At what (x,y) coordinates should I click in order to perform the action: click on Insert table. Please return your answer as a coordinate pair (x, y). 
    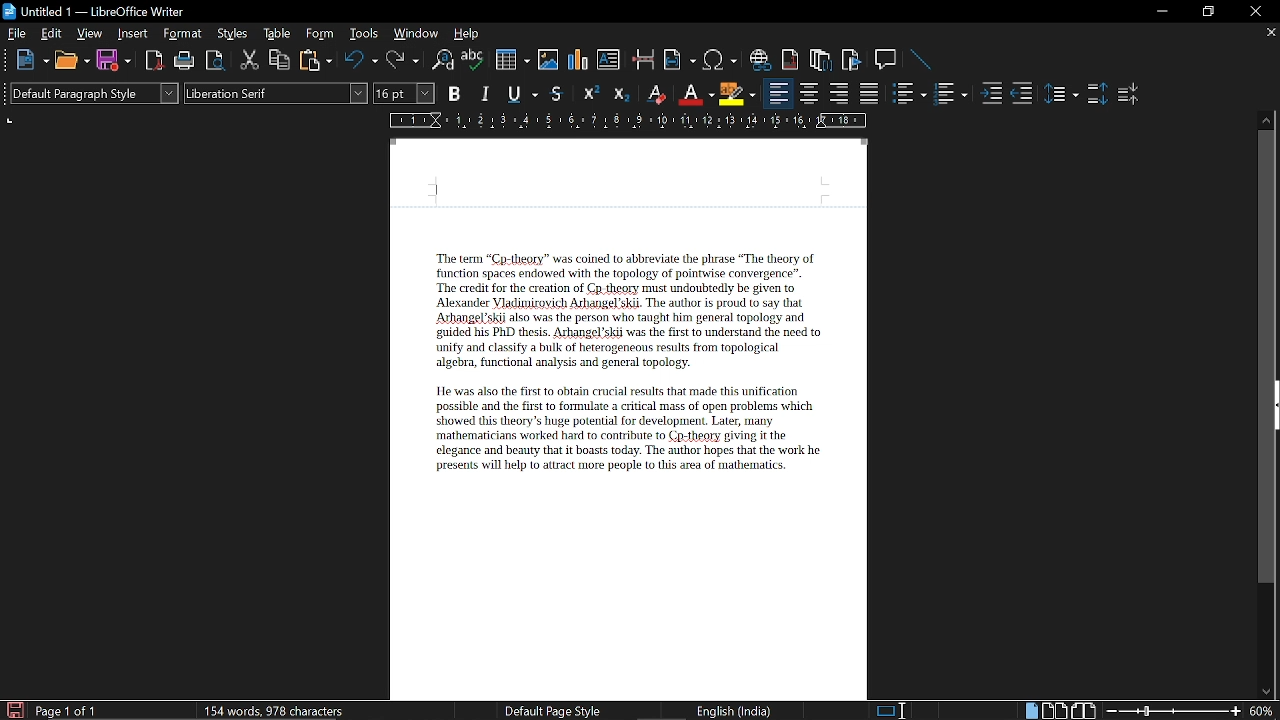
    Looking at the image, I should click on (511, 60).